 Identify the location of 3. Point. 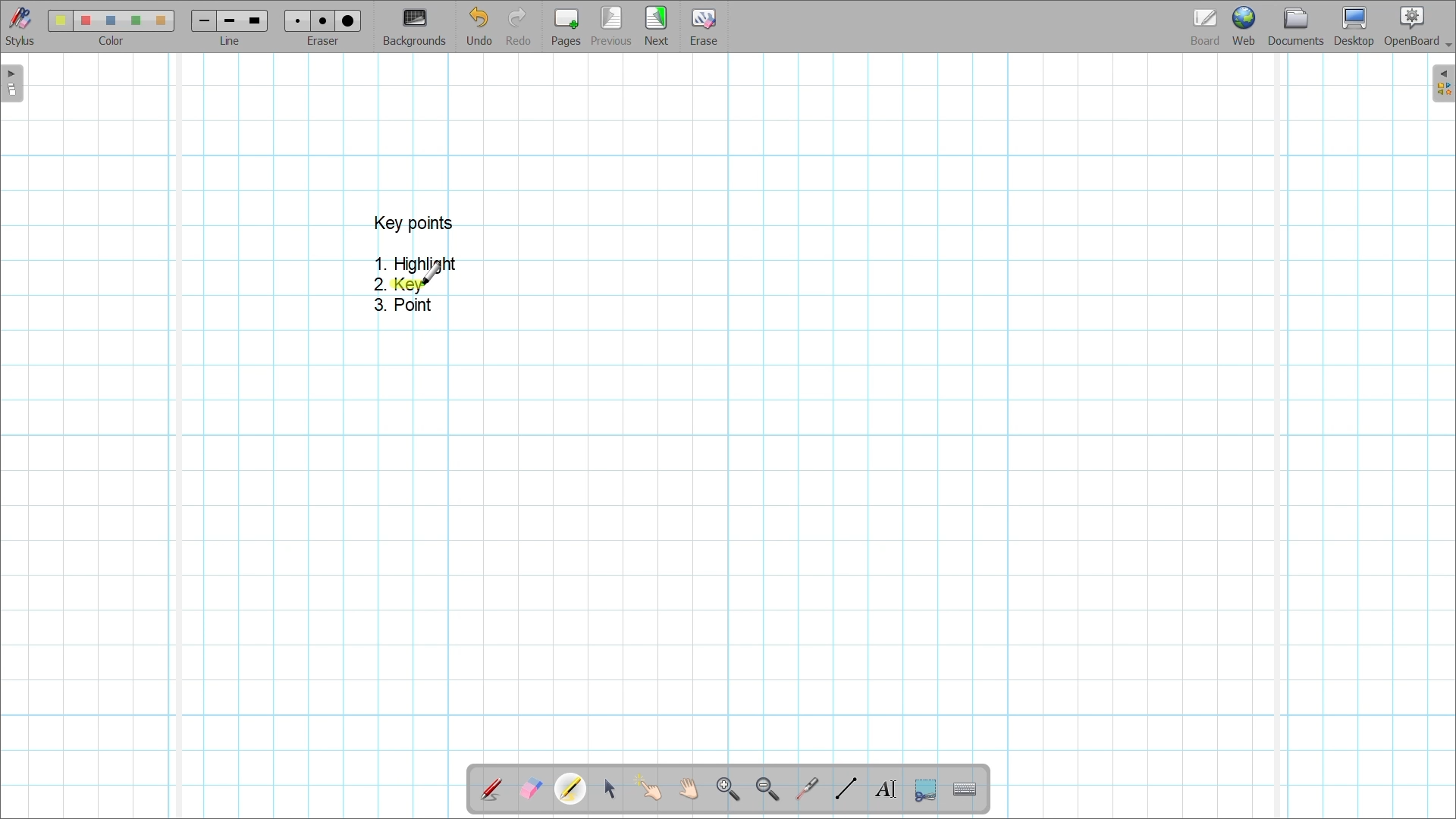
(404, 305).